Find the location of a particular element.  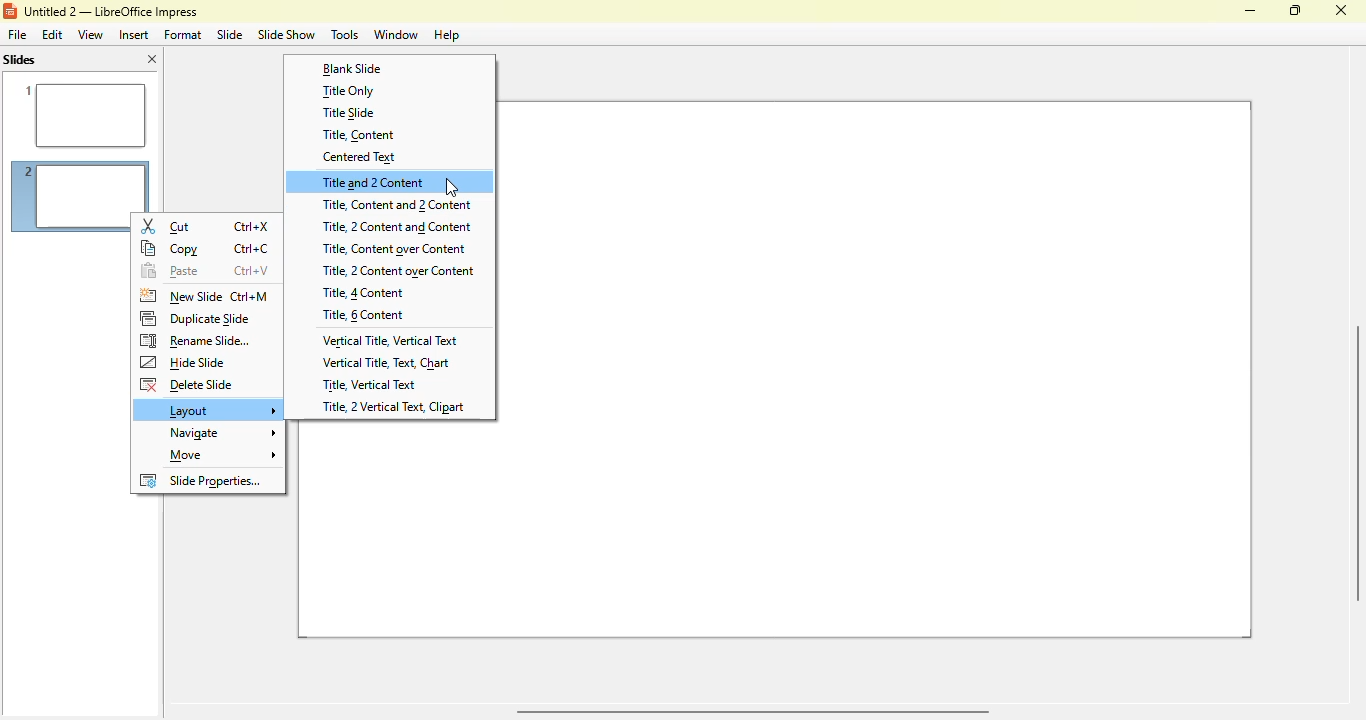

title, 2 vertical text, clipart is located at coordinates (394, 408).